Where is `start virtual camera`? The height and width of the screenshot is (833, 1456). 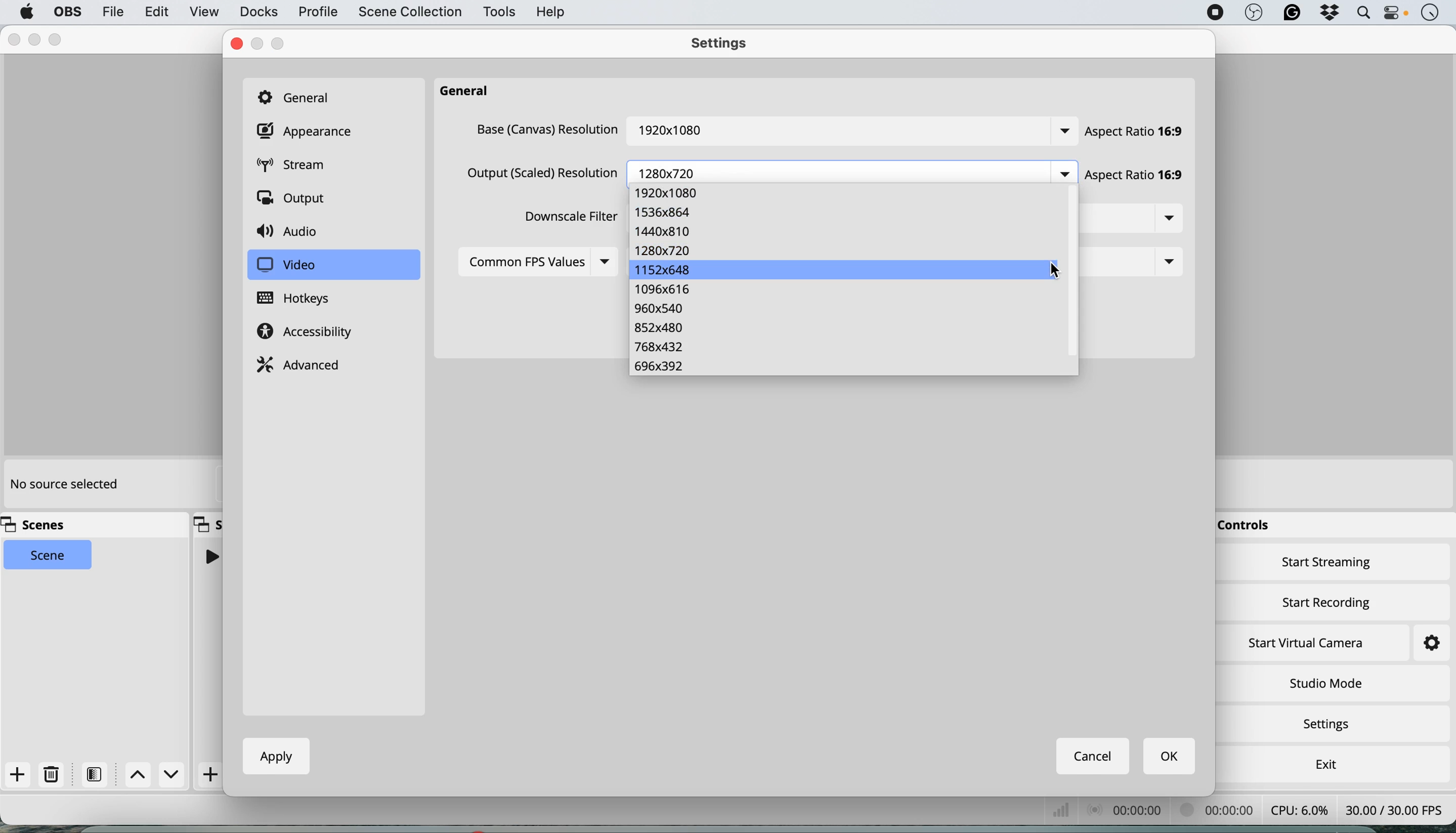
start virtual camera is located at coordinates (1307, 643).